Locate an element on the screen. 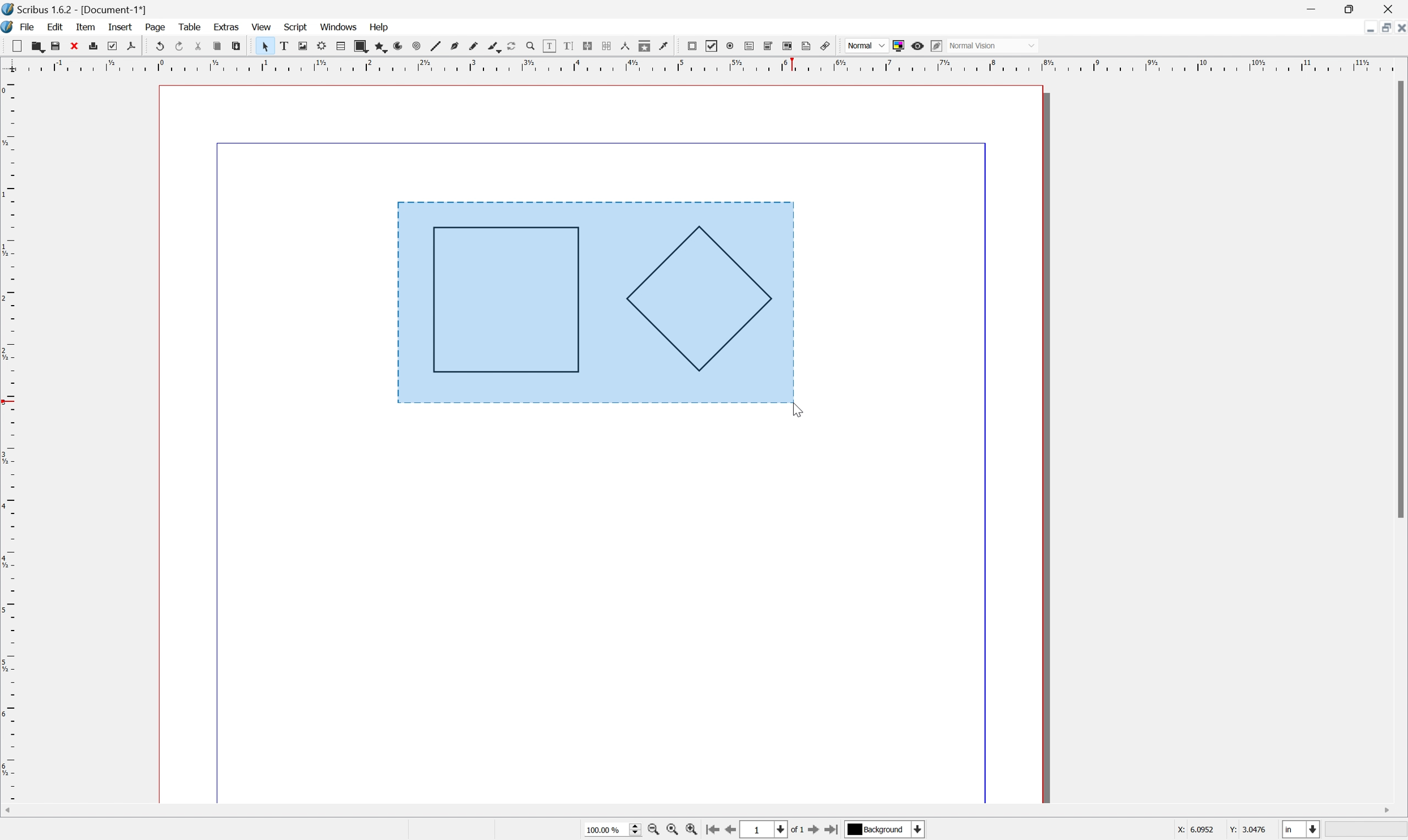 This screenshot has height=840, width=1408. Polygon is located at coordinates (696, 299).